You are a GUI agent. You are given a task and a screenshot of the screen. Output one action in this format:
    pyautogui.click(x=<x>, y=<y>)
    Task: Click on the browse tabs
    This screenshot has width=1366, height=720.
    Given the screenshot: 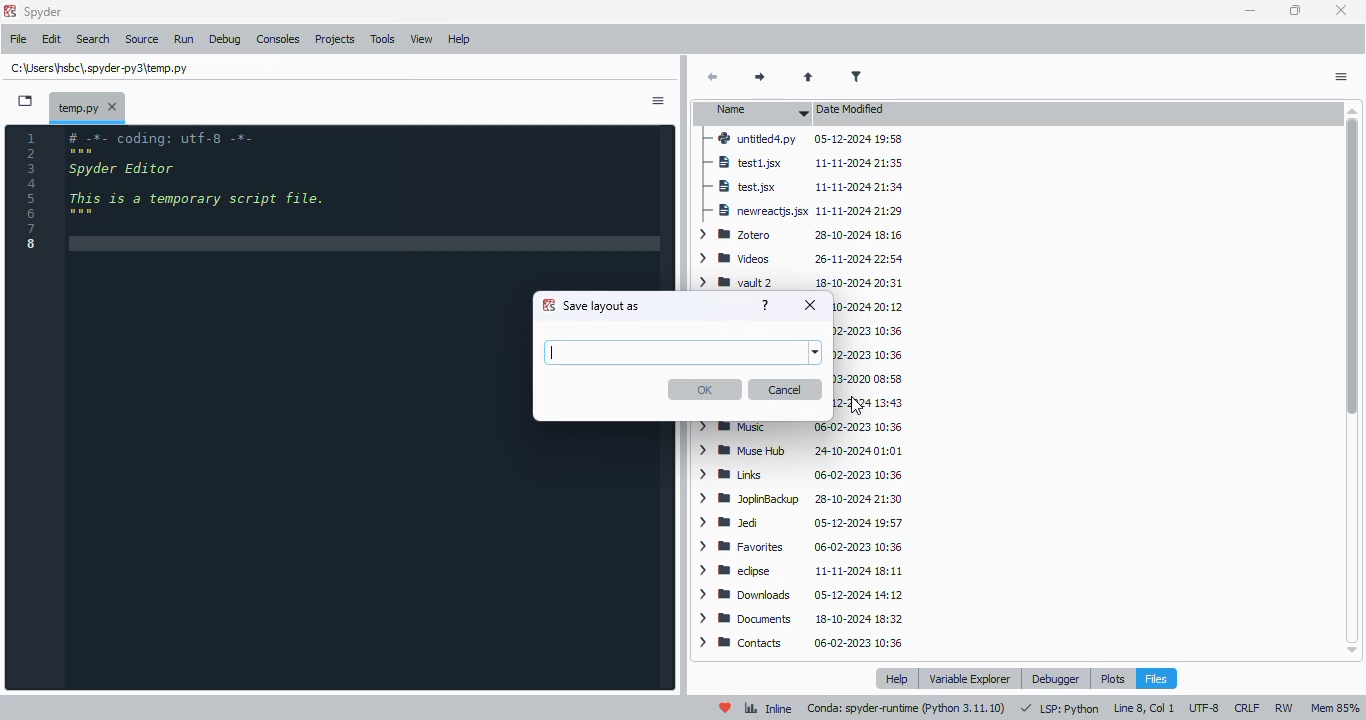 What is the action you would take?
    pyautogui.click(x=26, y=101)
    